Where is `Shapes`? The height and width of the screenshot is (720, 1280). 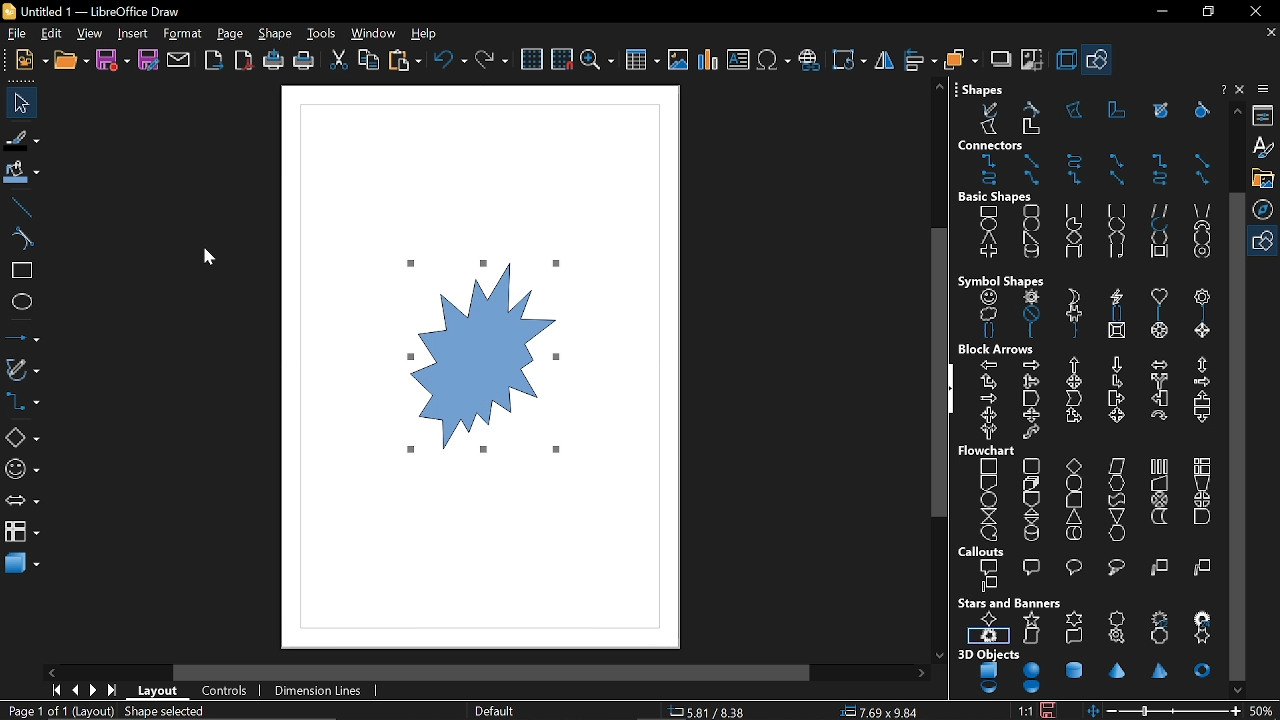
Shapes is located at coordinates (1082, 109).